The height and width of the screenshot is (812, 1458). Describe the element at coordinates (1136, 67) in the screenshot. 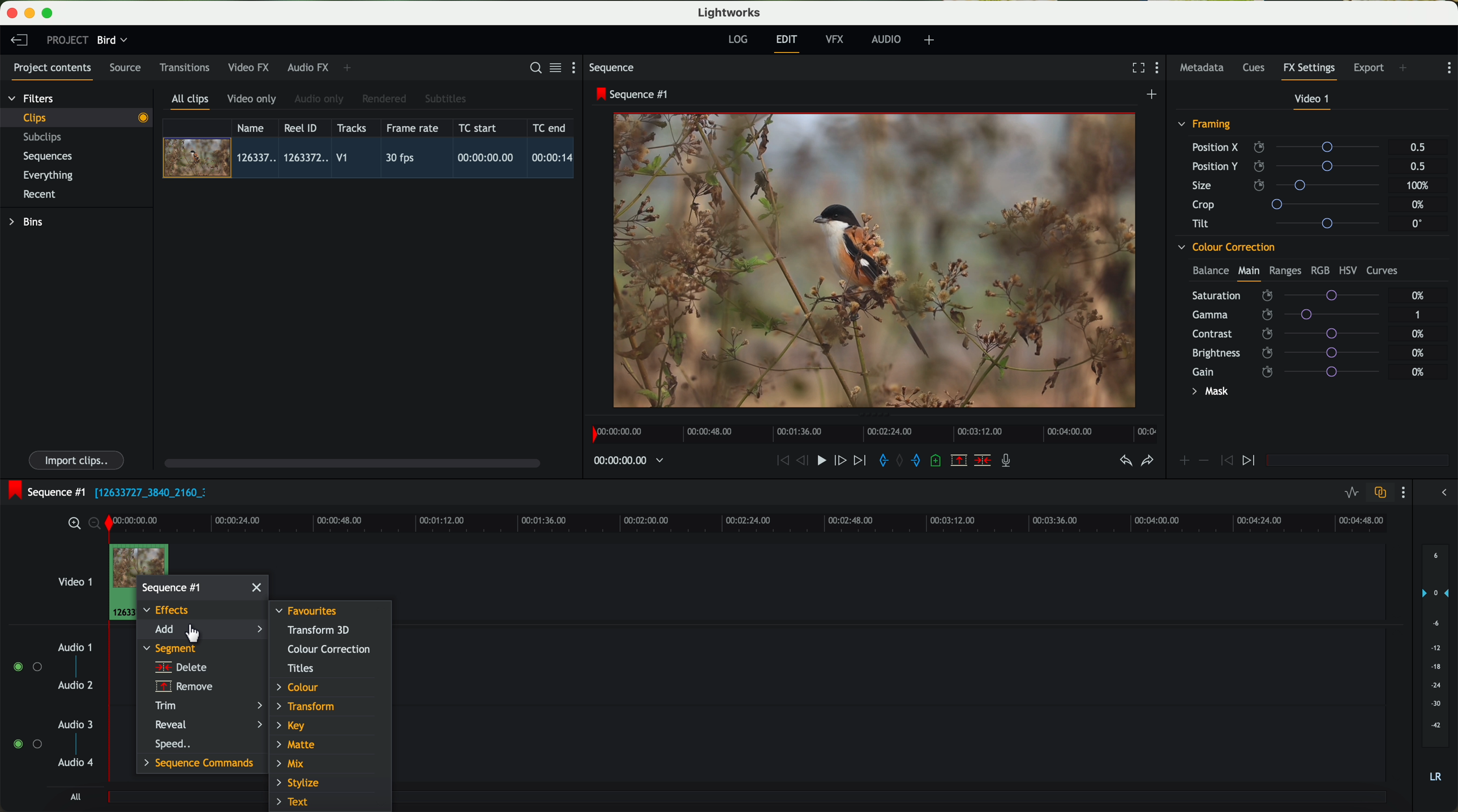

I see `fullscreen` at that location.